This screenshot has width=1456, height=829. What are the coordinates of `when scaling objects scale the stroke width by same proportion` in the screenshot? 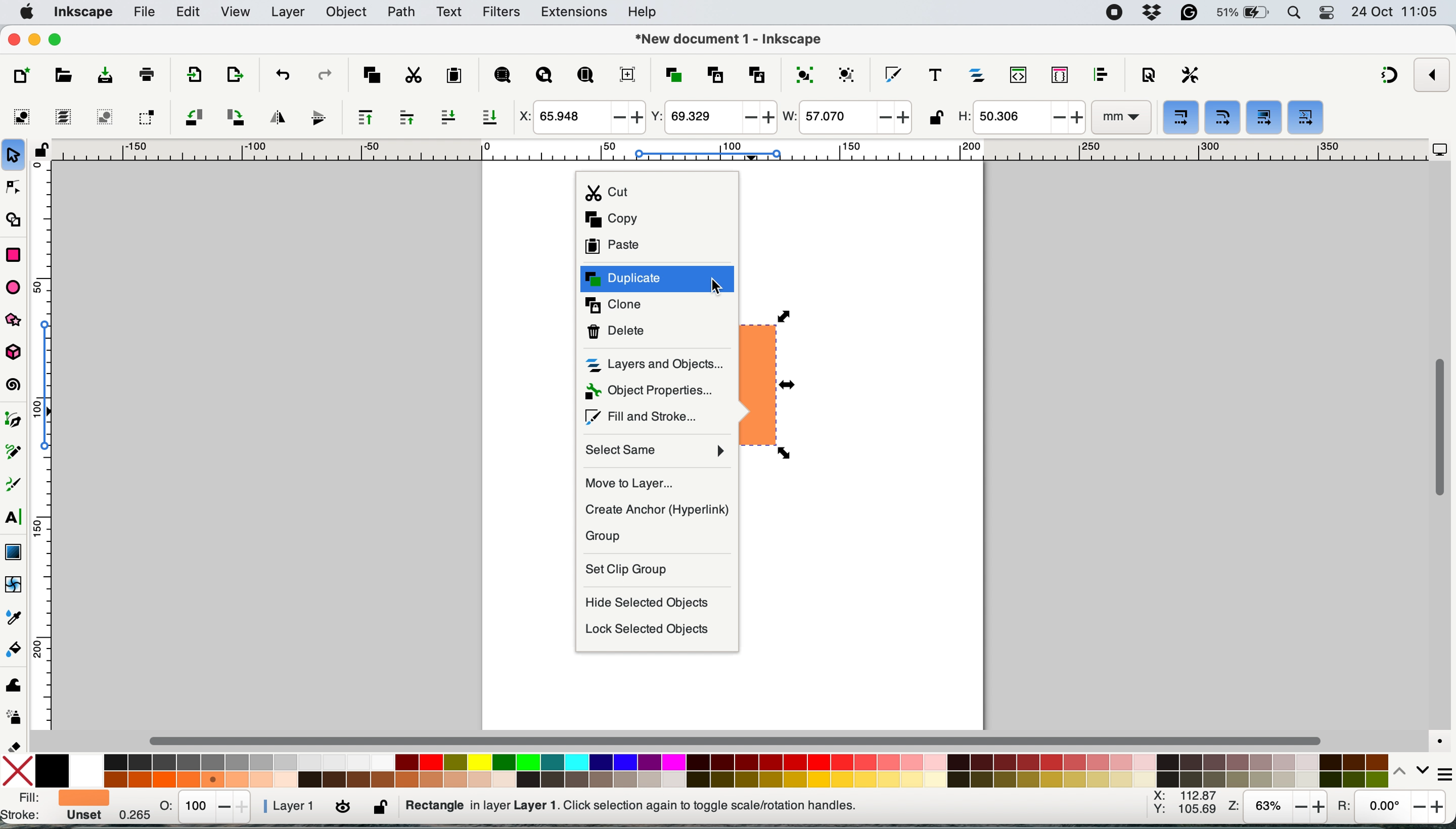 It's located at (1182, 118).